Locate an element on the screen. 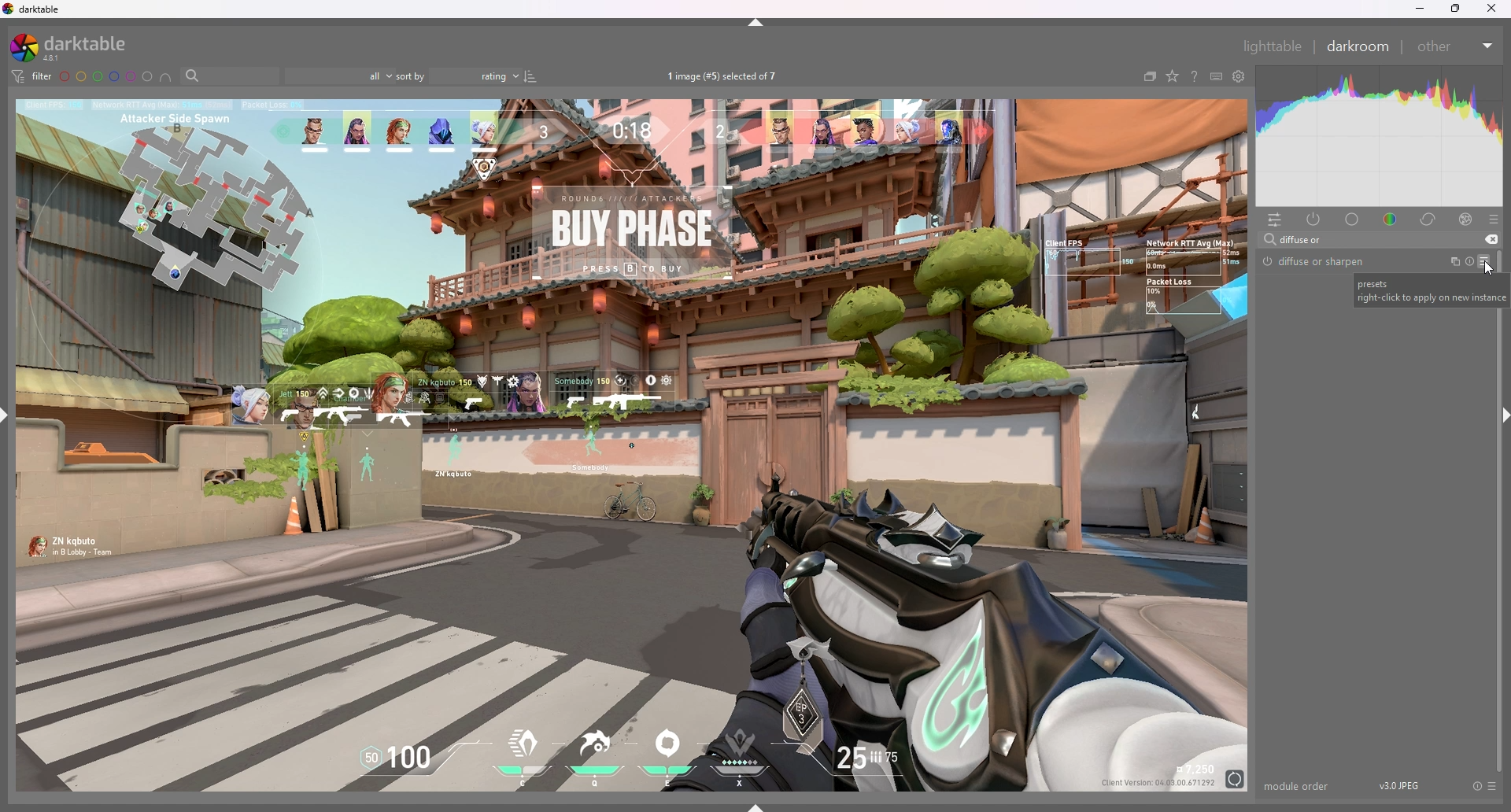 This screenshot has width=1511, height=812. base is located at coordinates (1354, 219).